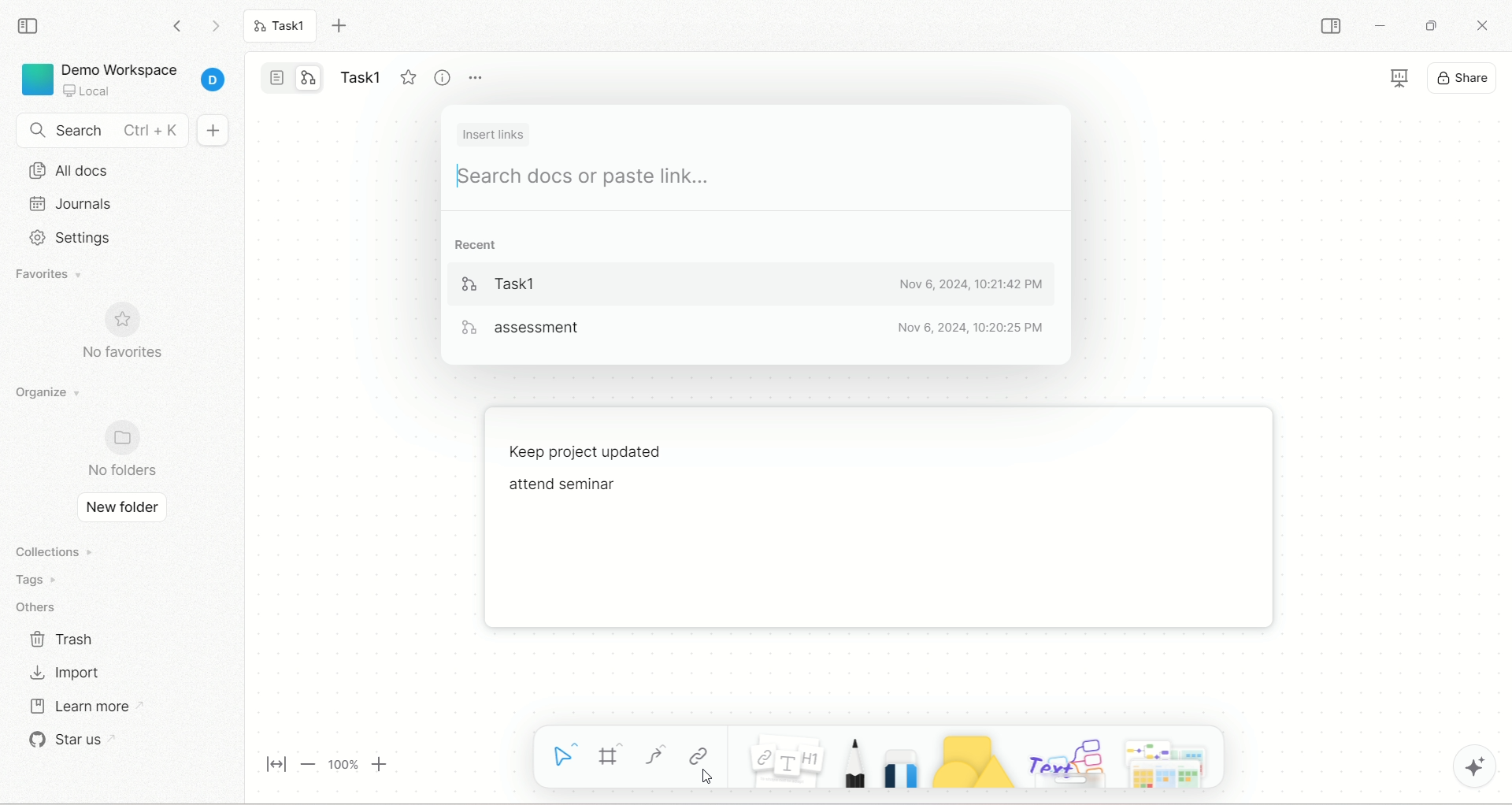 The image size is (1512, 805). Describe the element at coordinates (406, 77) in the screenshot. I see `favorite` at that location.